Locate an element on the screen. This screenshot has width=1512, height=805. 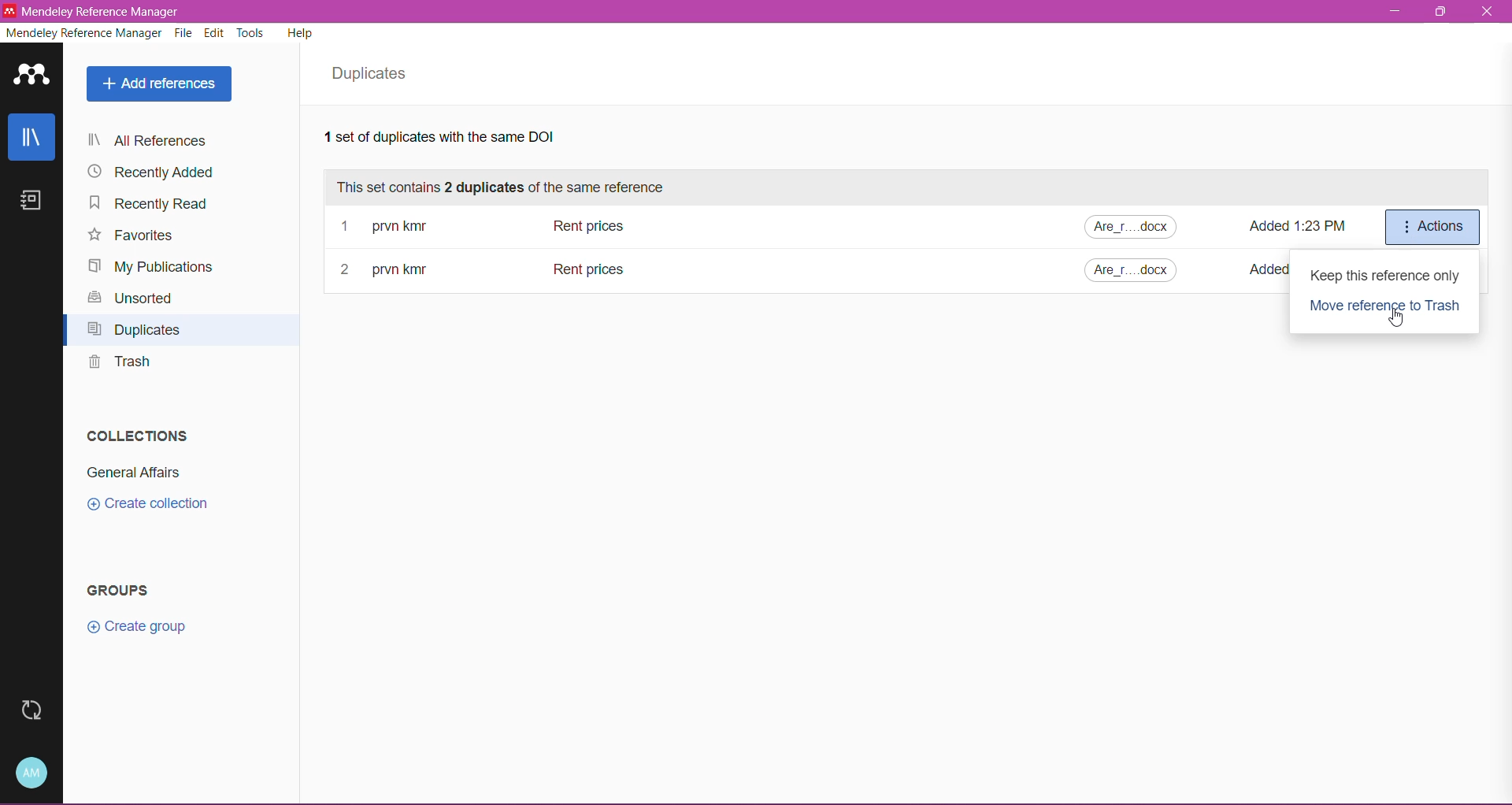
Favorites is located at coordinates (132, 236).